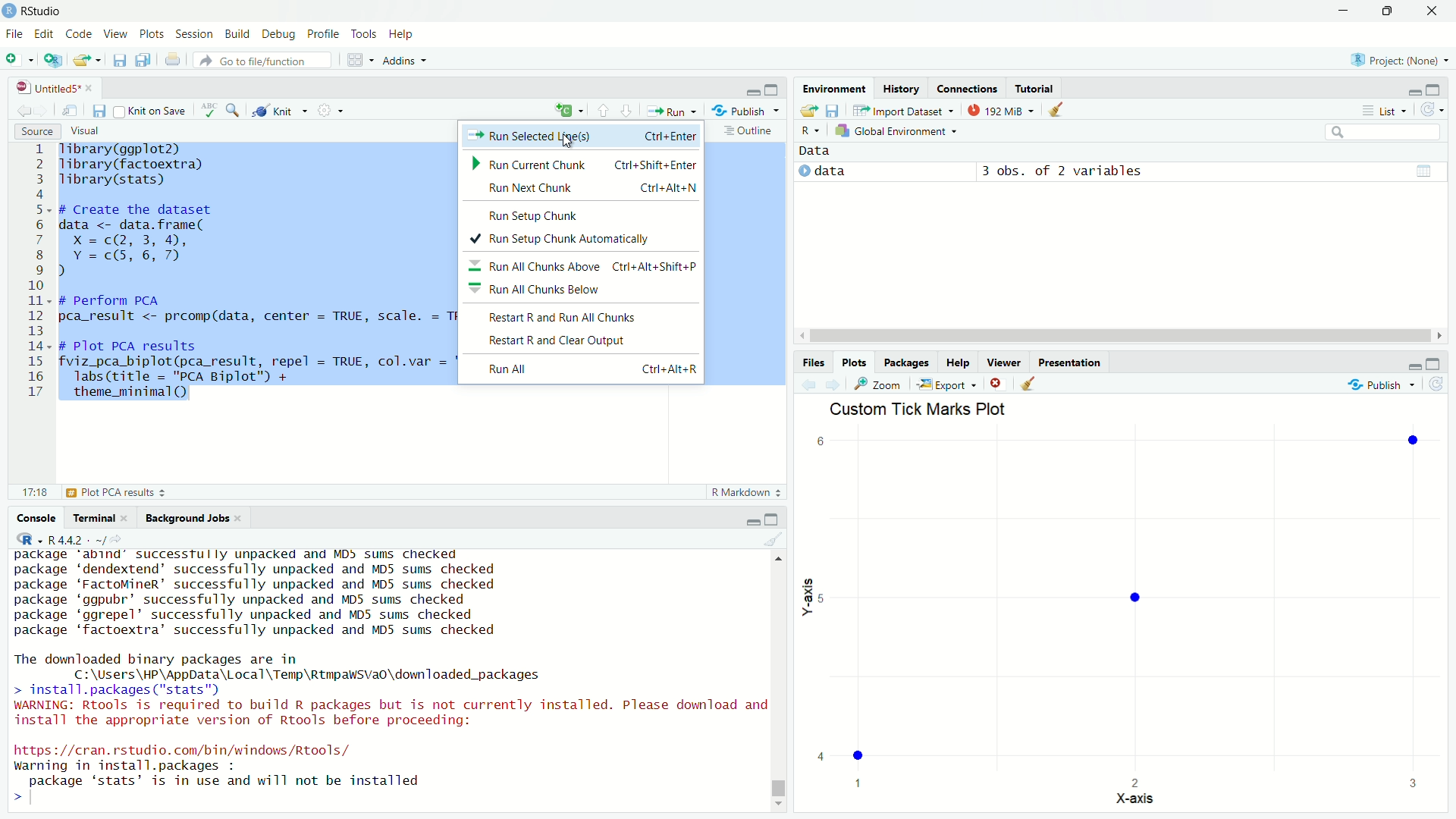 This screenshot has height=819, width=1456. I want to click on global environment, so click(899, 131).